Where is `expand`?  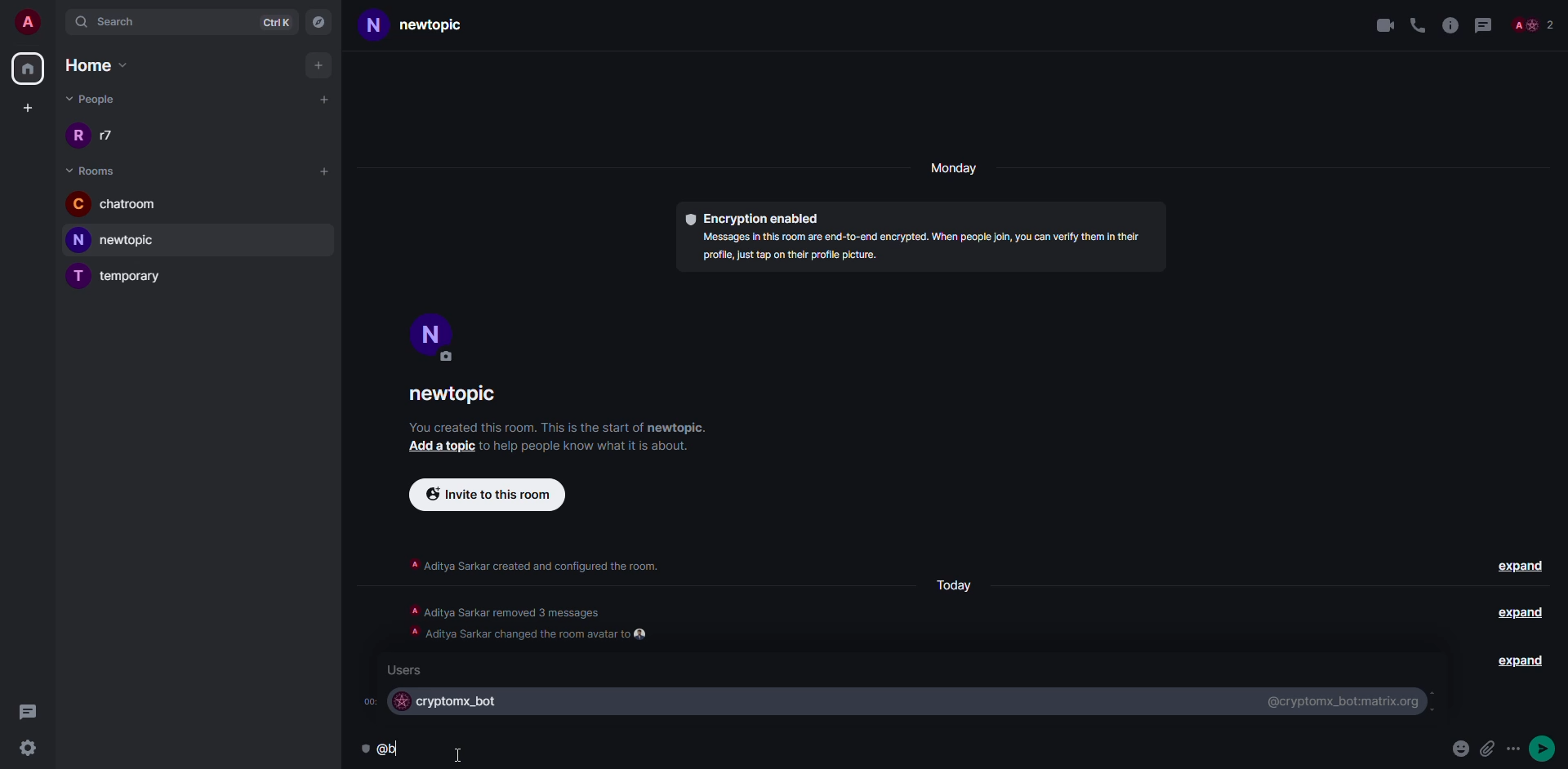 expand is located at coordinates (1522, 566).